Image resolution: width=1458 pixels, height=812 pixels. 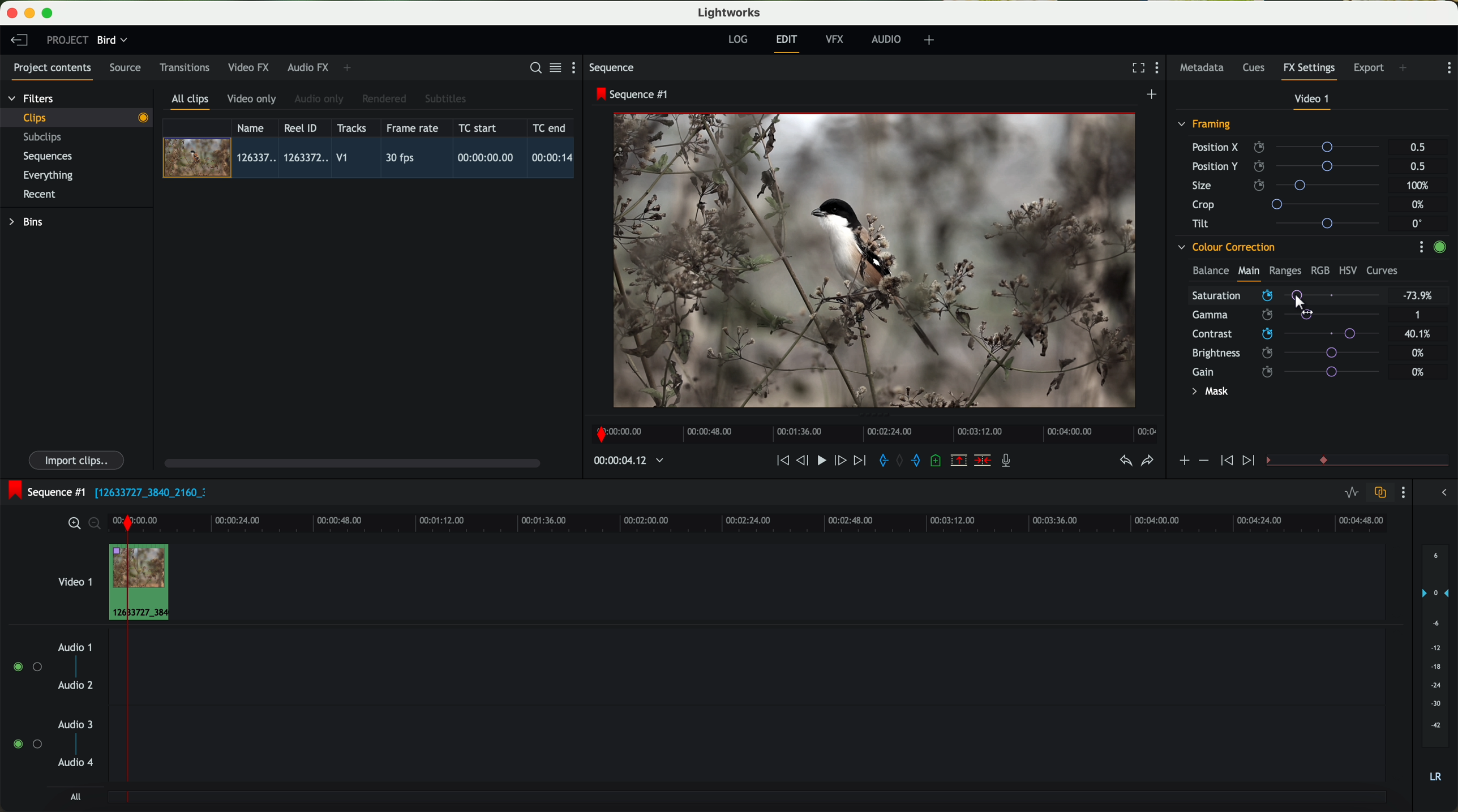 I want to click on audio 3, so click(x=70, y=724).